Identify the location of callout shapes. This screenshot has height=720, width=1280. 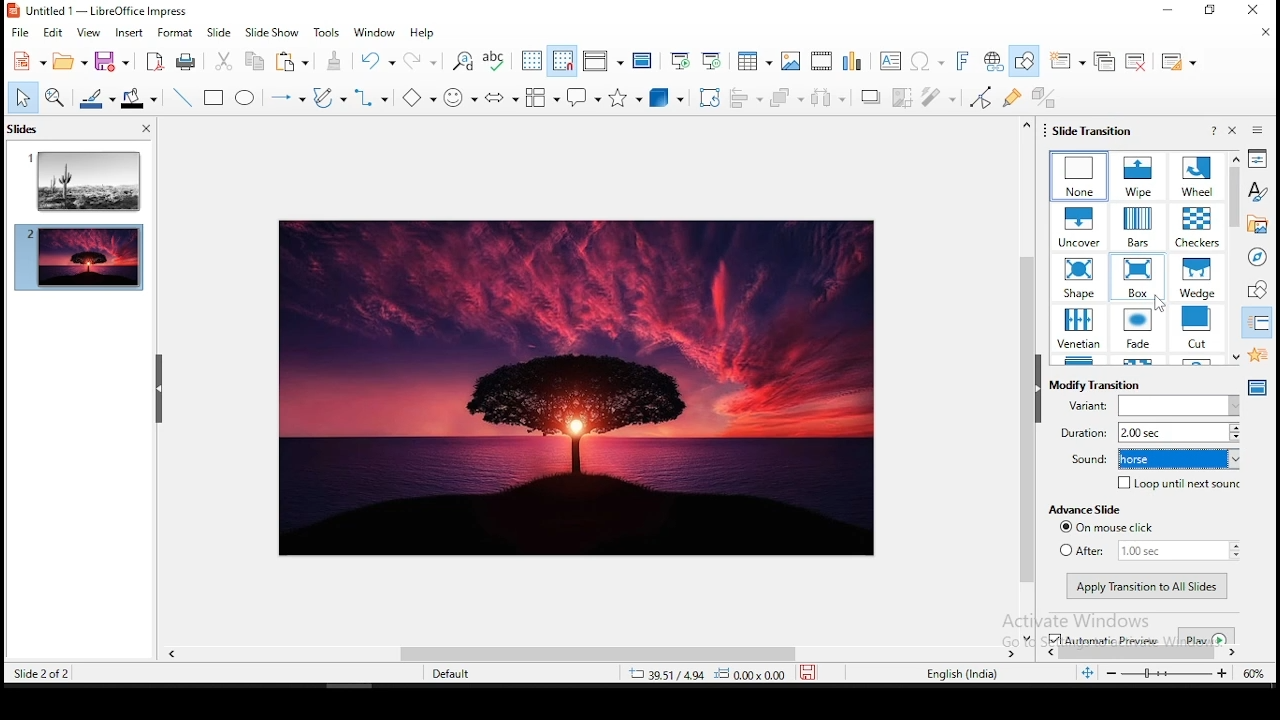
(539, 97).